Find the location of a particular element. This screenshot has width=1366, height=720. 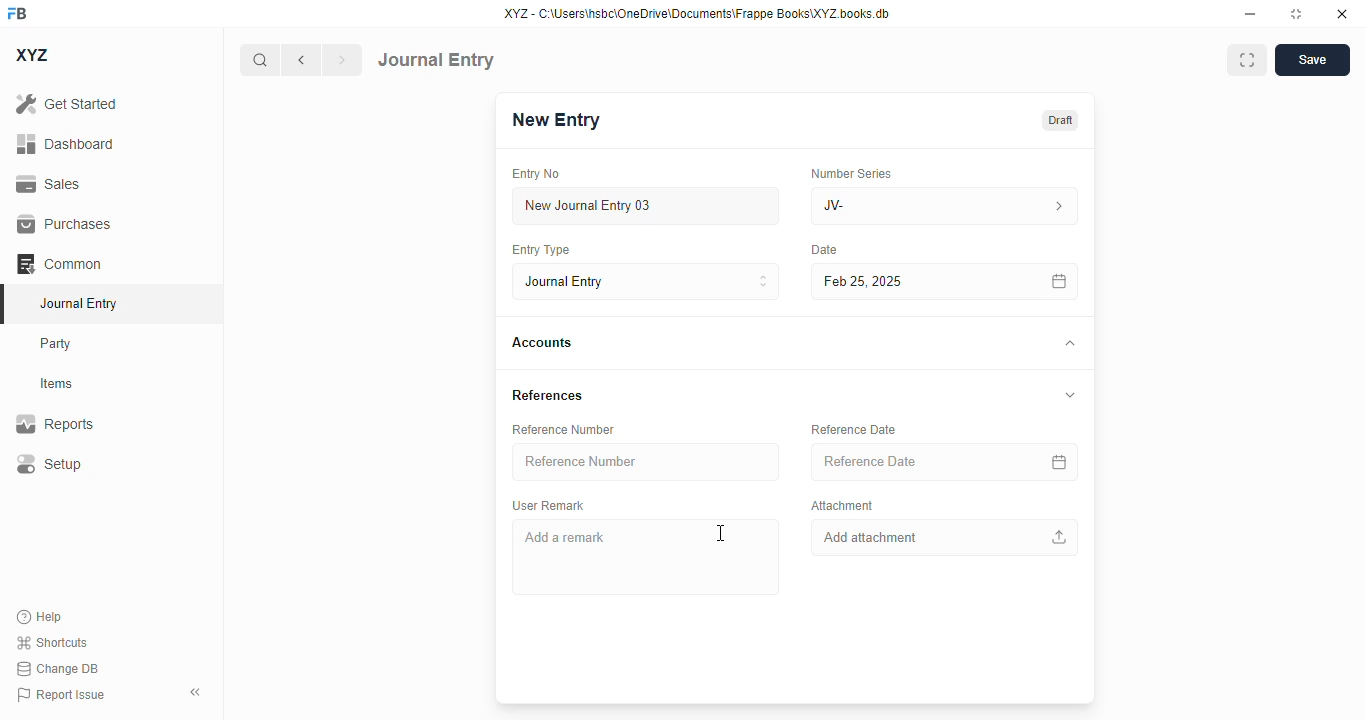

entry type is located at coordinates (539, 249).